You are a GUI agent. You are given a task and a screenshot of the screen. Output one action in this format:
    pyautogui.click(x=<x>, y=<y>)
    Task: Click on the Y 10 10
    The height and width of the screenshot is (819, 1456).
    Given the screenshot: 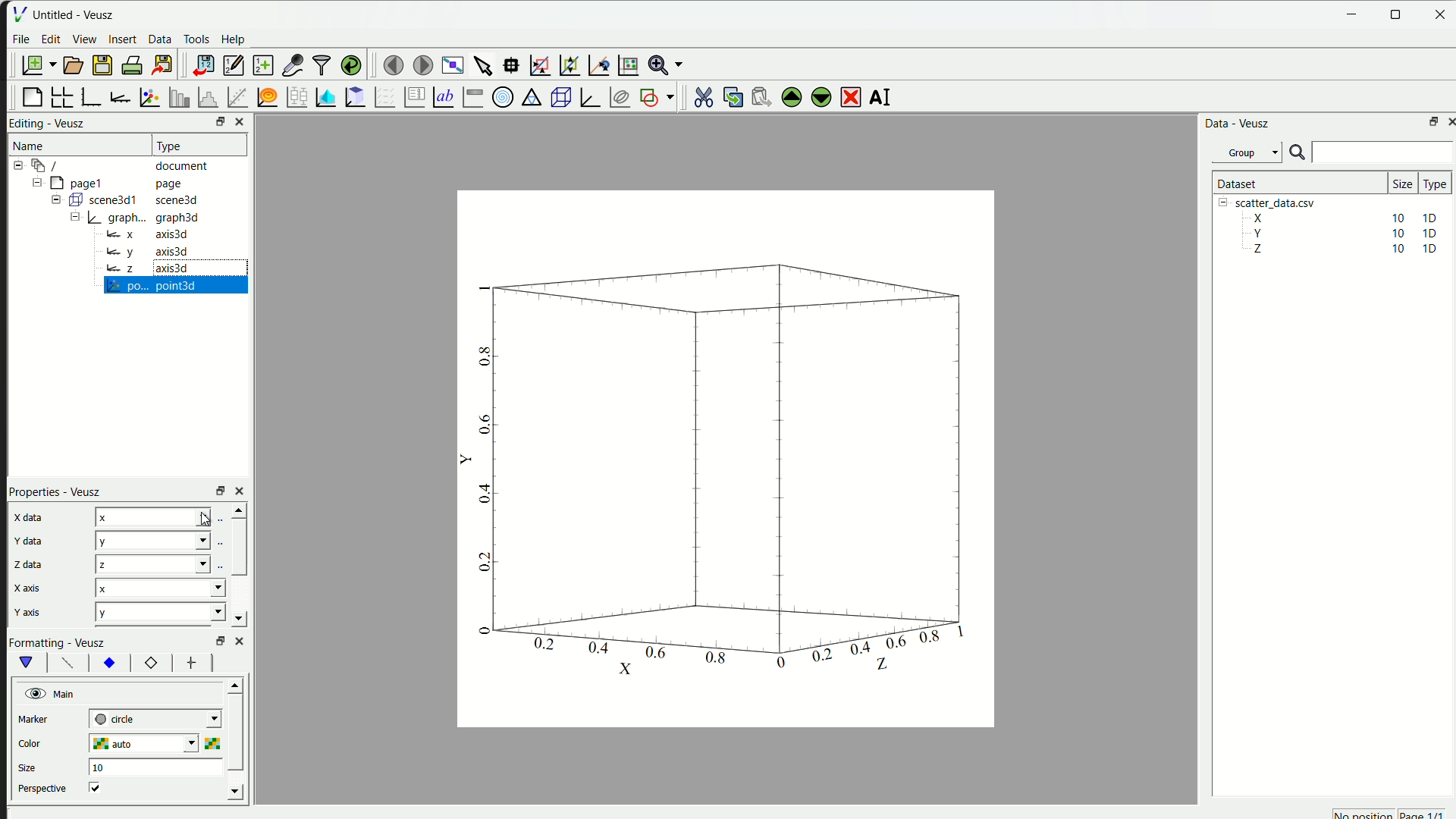 What is the action you would take?
    pyautogui.click(x=1339, y=234)
    